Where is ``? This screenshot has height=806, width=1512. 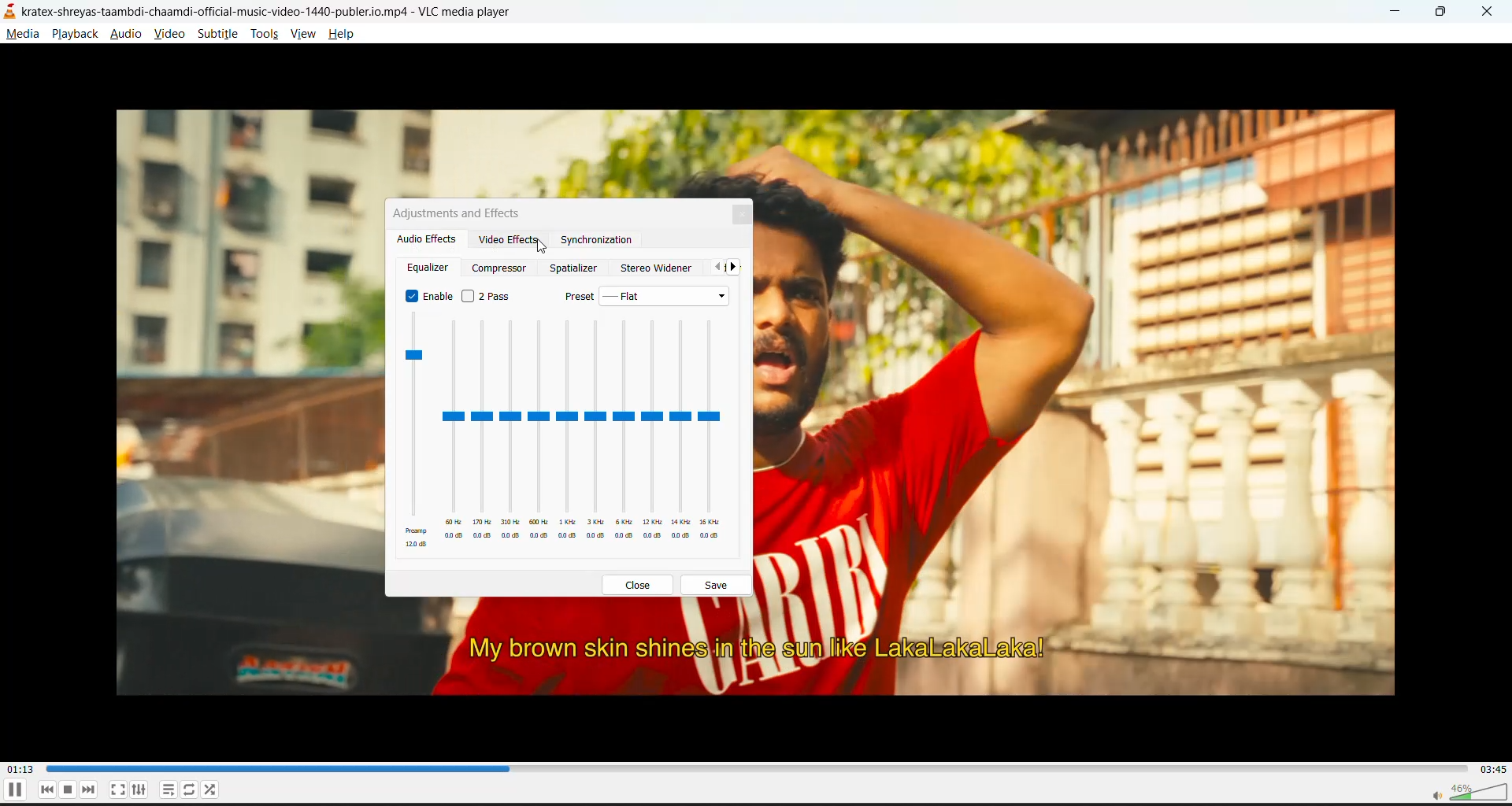  is located at coordinates (654, 436).